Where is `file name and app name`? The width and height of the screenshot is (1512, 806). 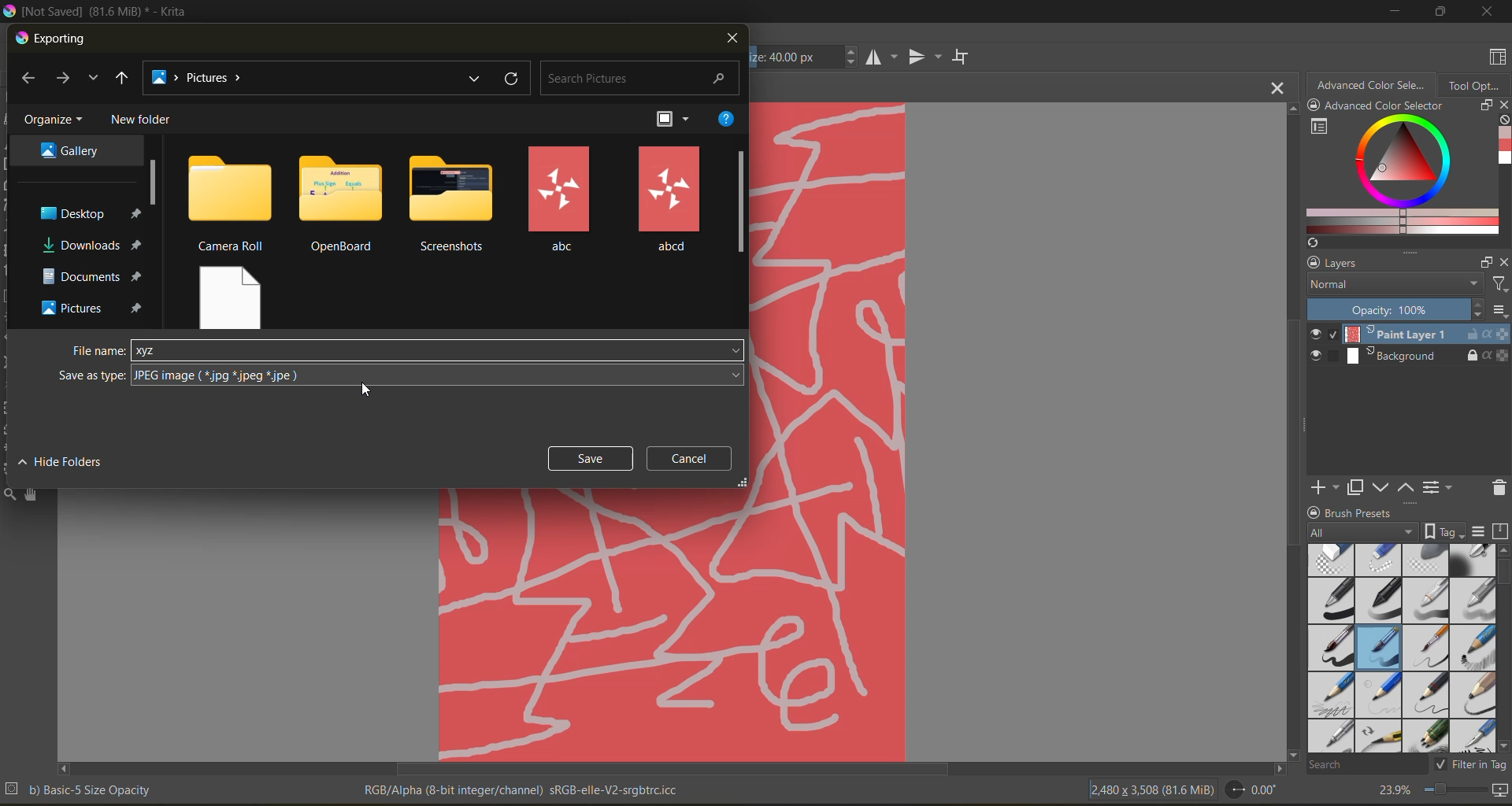
file name and app name is located at coordinates (100, 12).